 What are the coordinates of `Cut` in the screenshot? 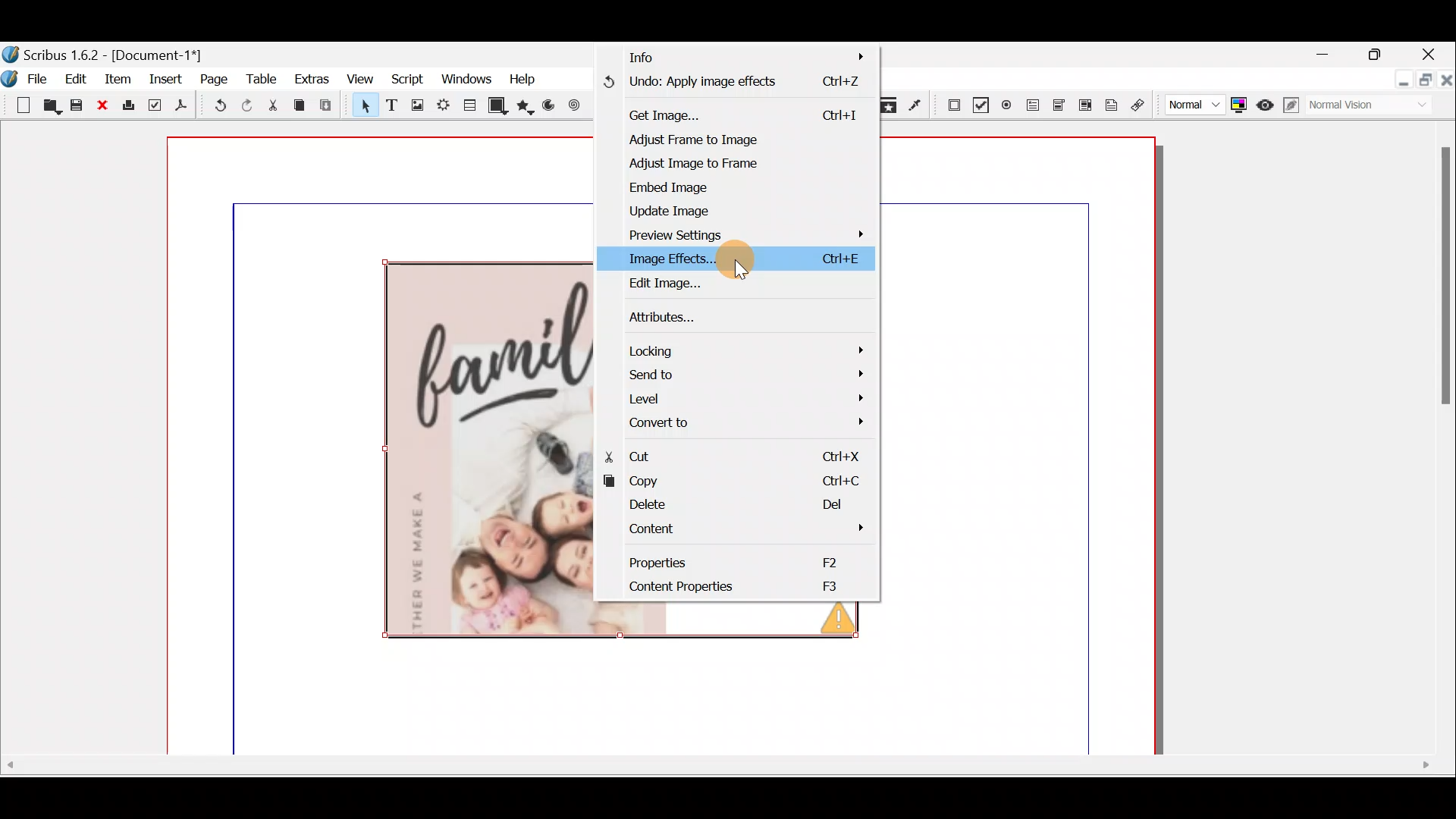 It's located at (274, 106).